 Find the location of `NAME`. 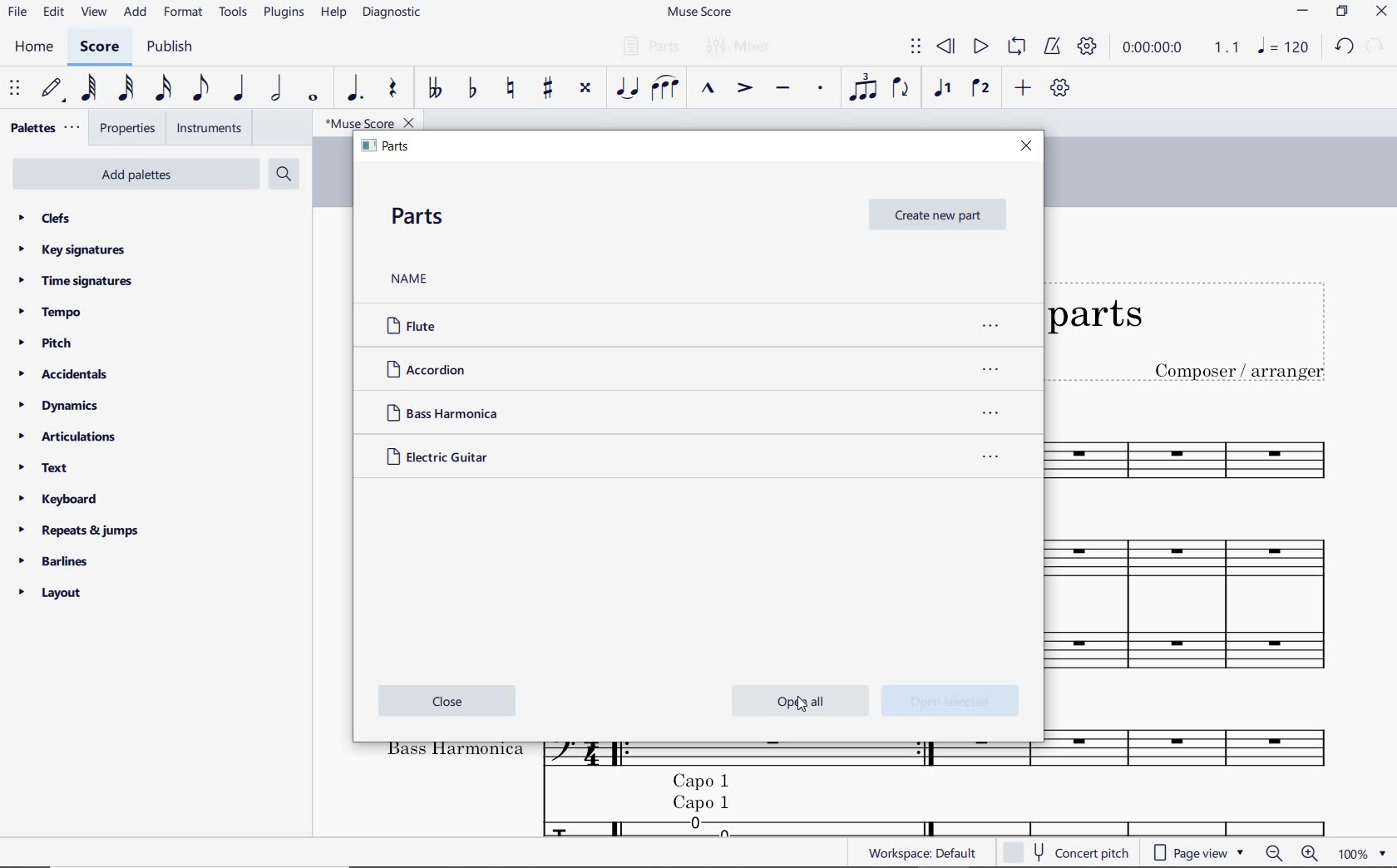

NAME is located at coordinates (418, 279).